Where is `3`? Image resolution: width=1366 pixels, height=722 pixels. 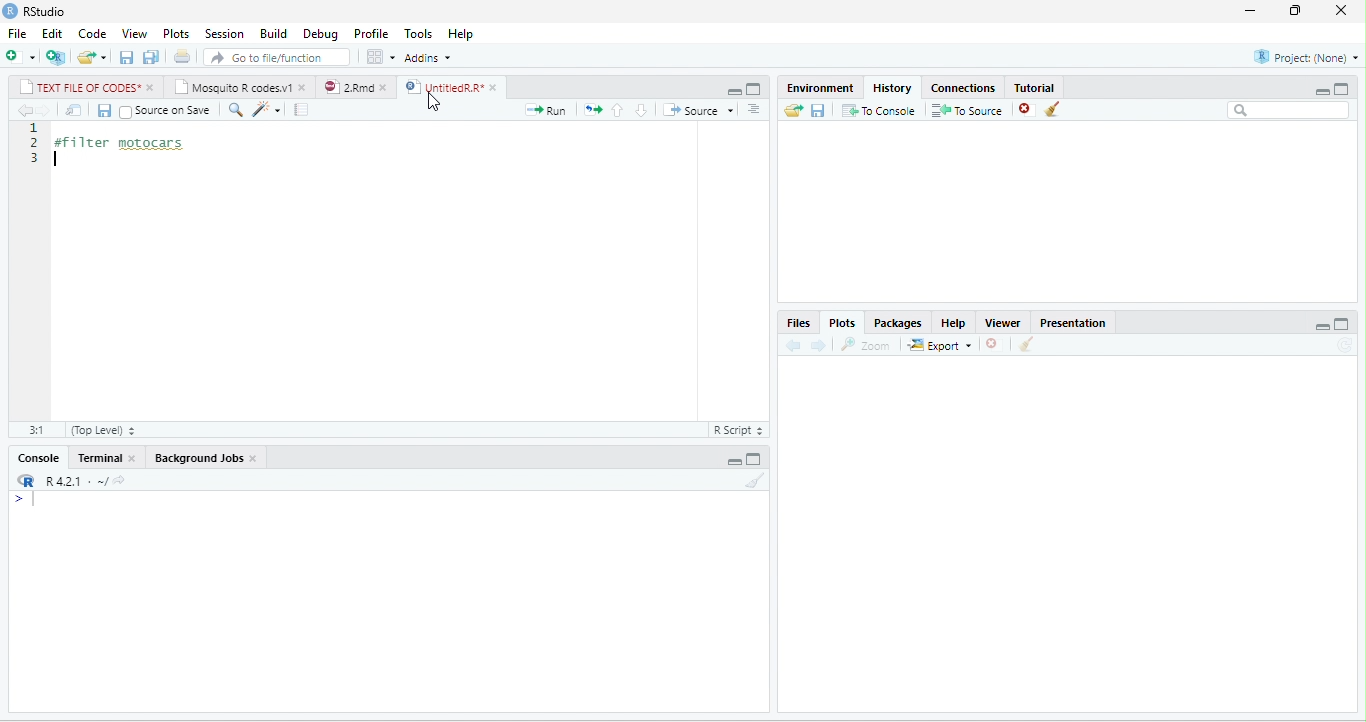
3 is located at coordinates (36, 158).